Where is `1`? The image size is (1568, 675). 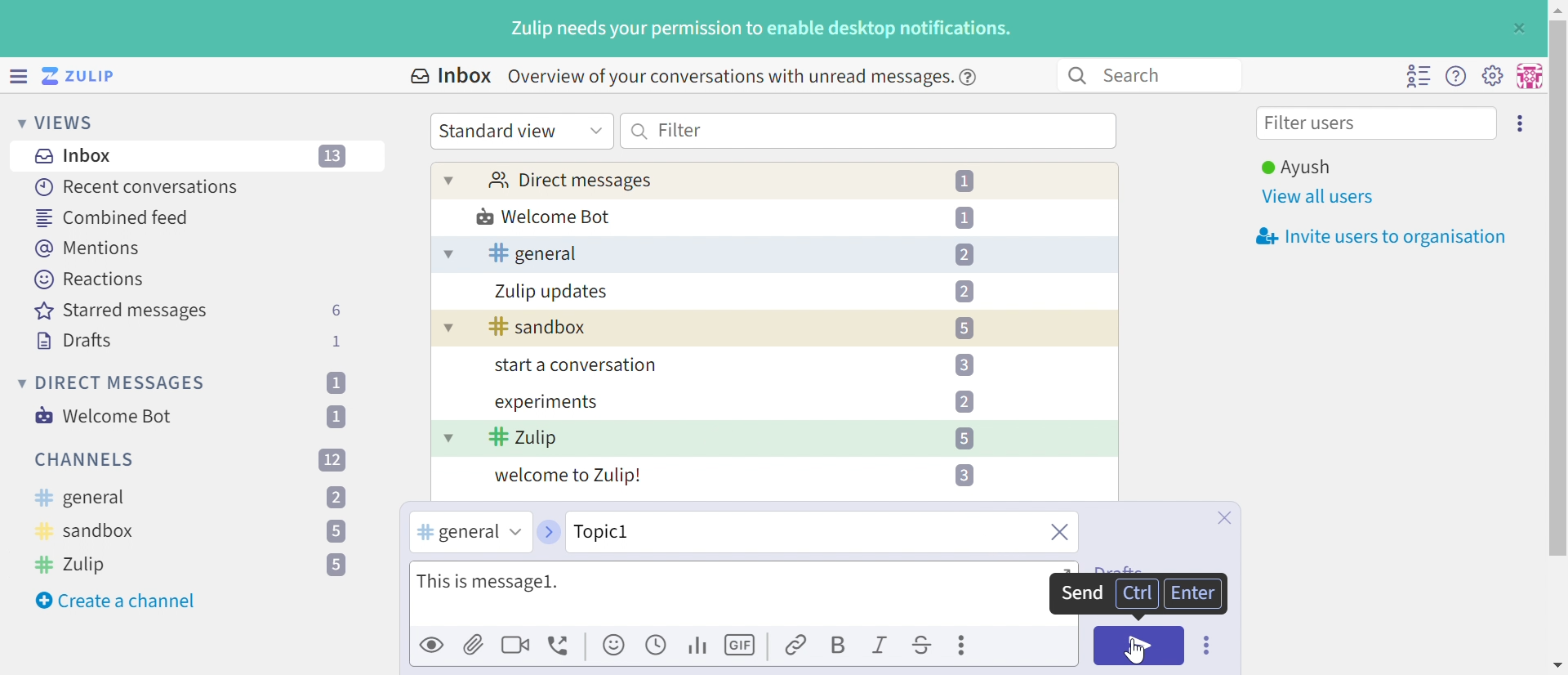
1 is located at coordinates (968, 181).